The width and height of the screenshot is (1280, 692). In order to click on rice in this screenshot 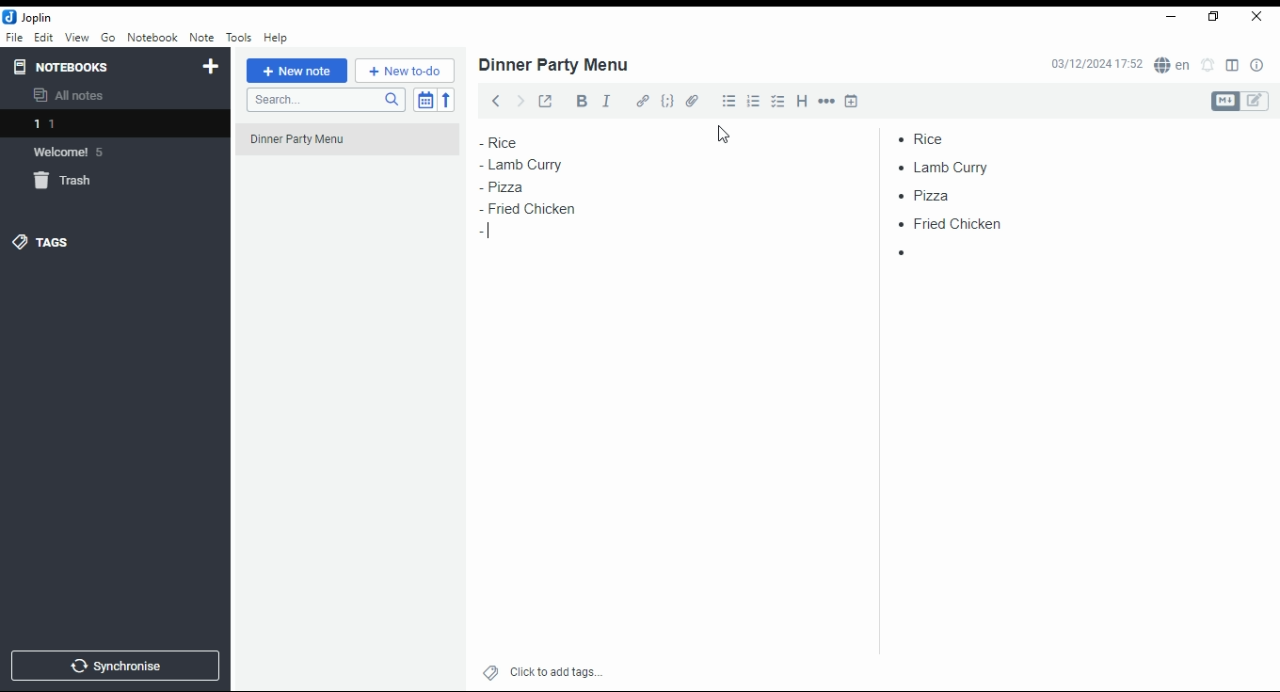, I will do `click(946, 136)`.